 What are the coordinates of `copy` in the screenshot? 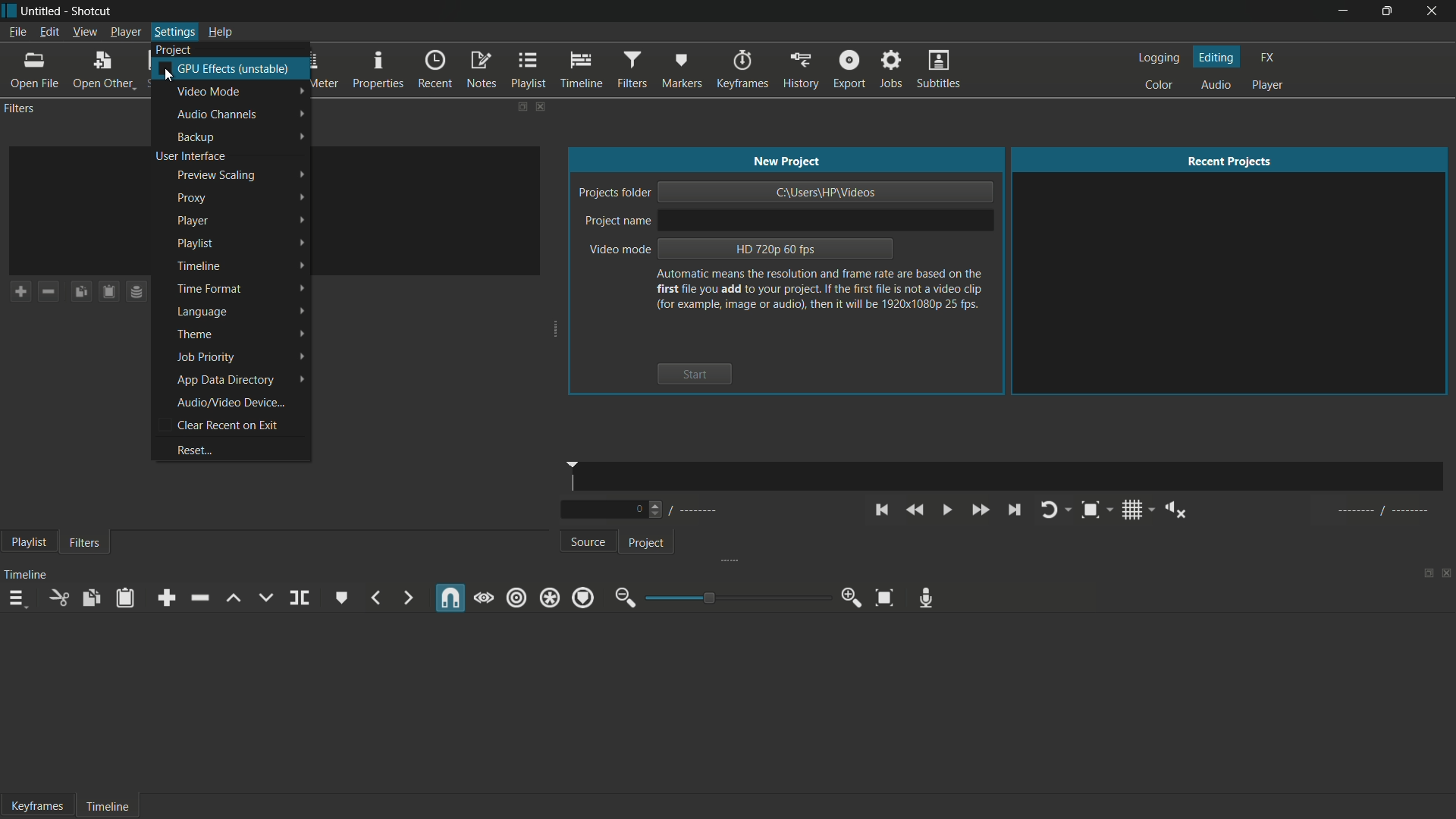 It's located at (92, 599).